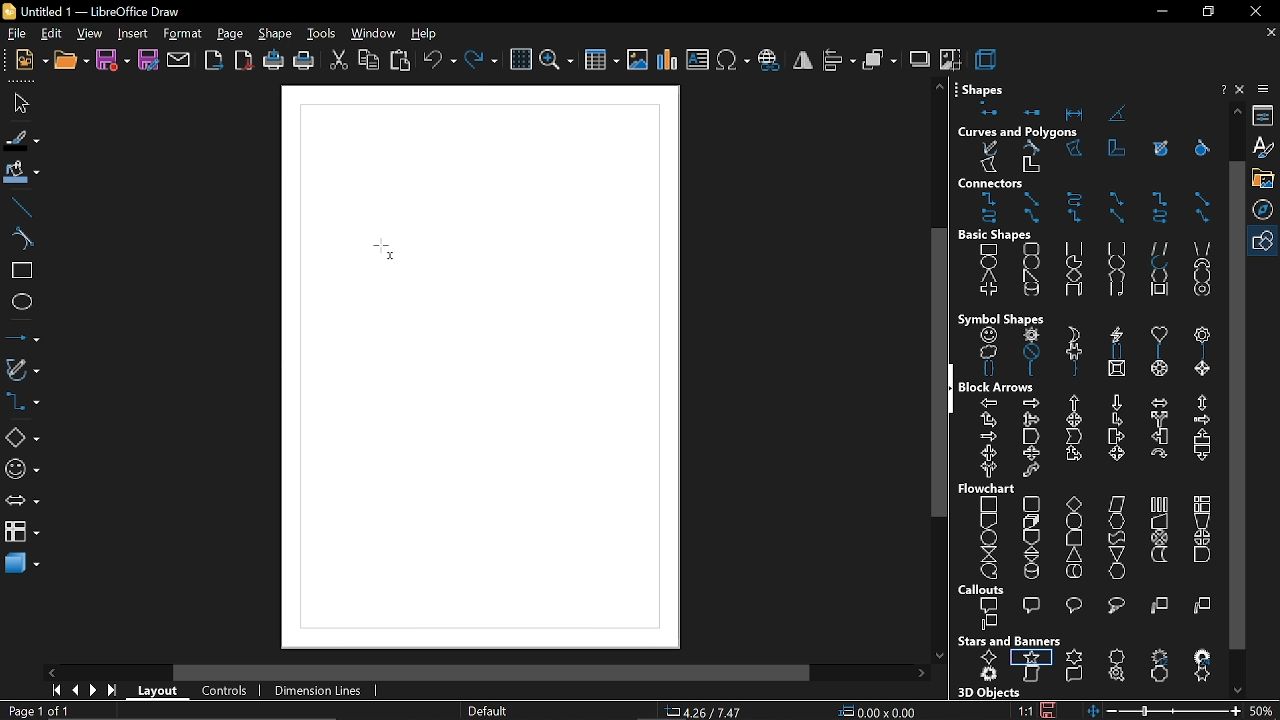  What do you see at coordinates (714, 712) in the screenshot?
I see `co-ordinates` at bounding box center [714, 712].